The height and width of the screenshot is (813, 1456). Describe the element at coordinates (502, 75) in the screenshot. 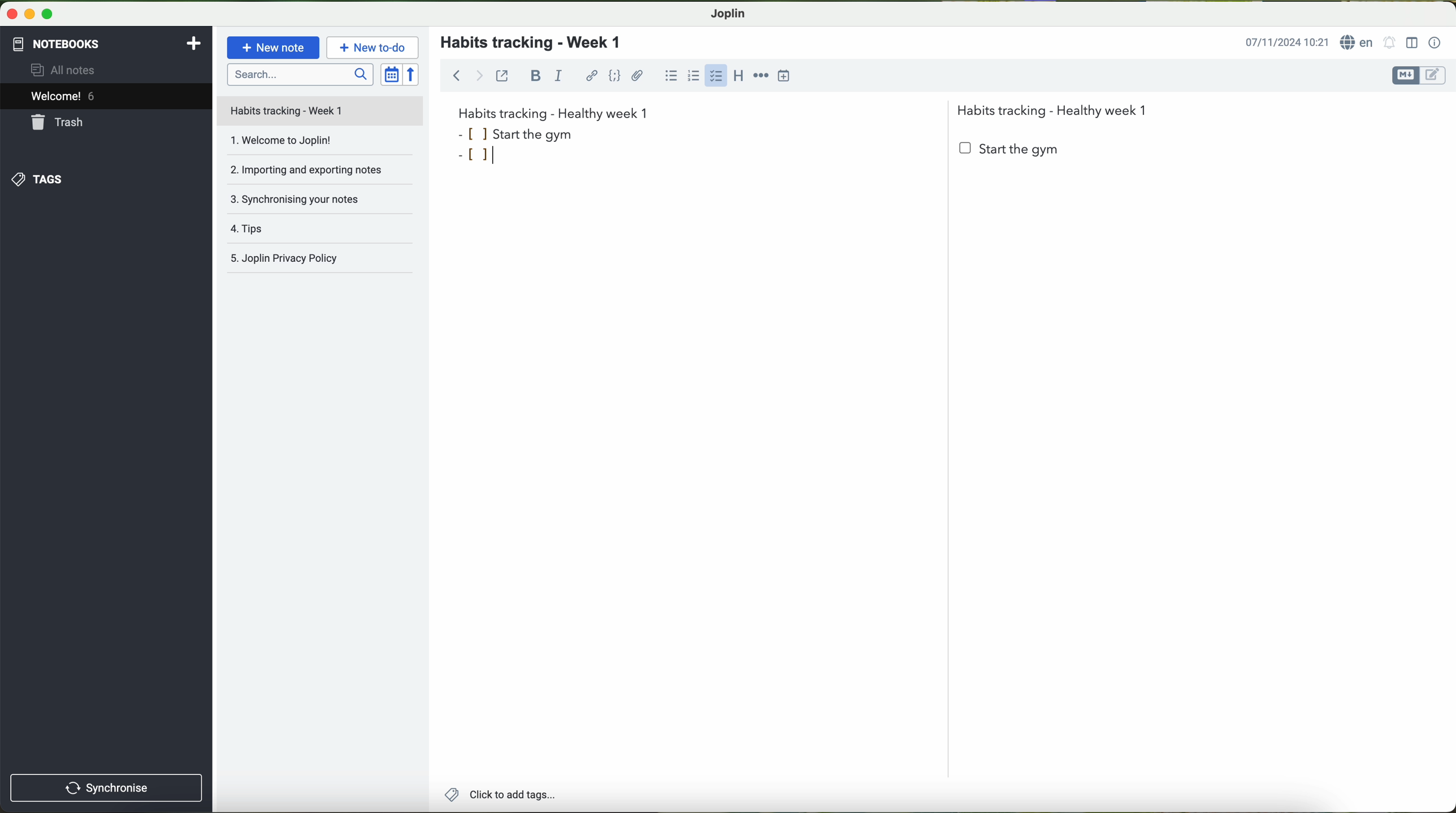

I see `toggle external editing` at that location.